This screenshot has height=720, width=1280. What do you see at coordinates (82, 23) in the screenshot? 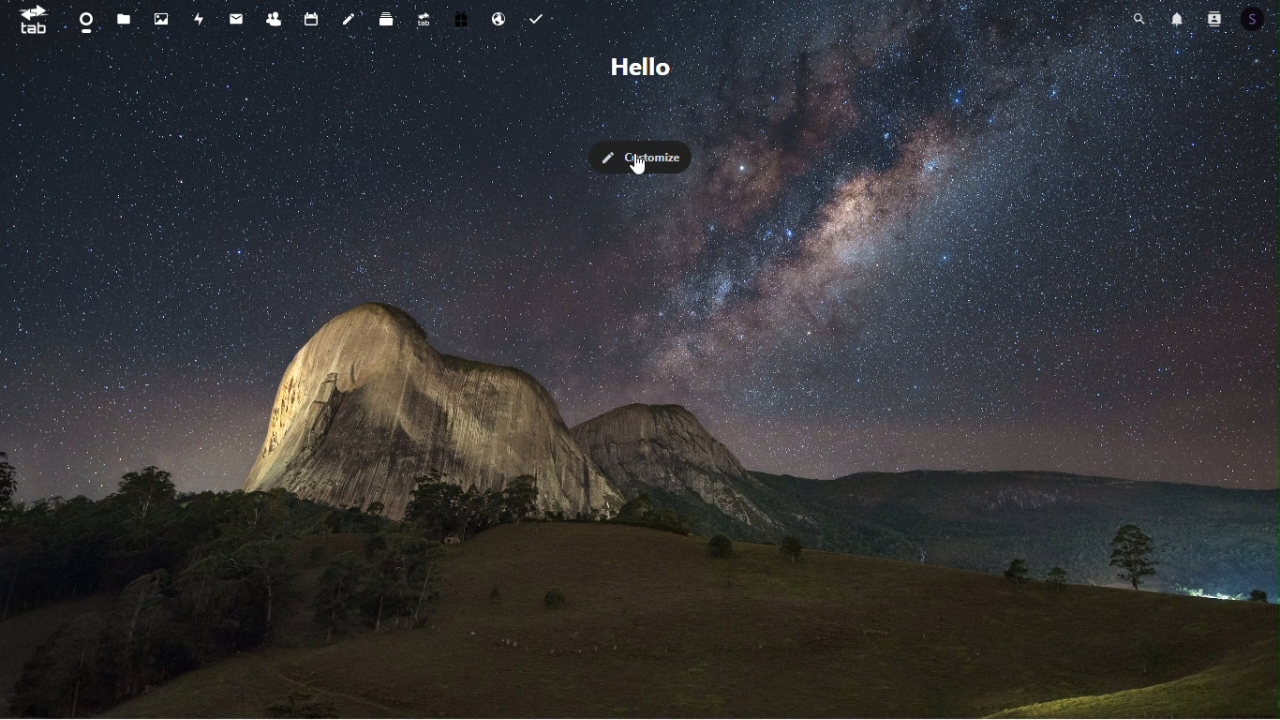
I see `dashboard` at bounding box center [82, 23].